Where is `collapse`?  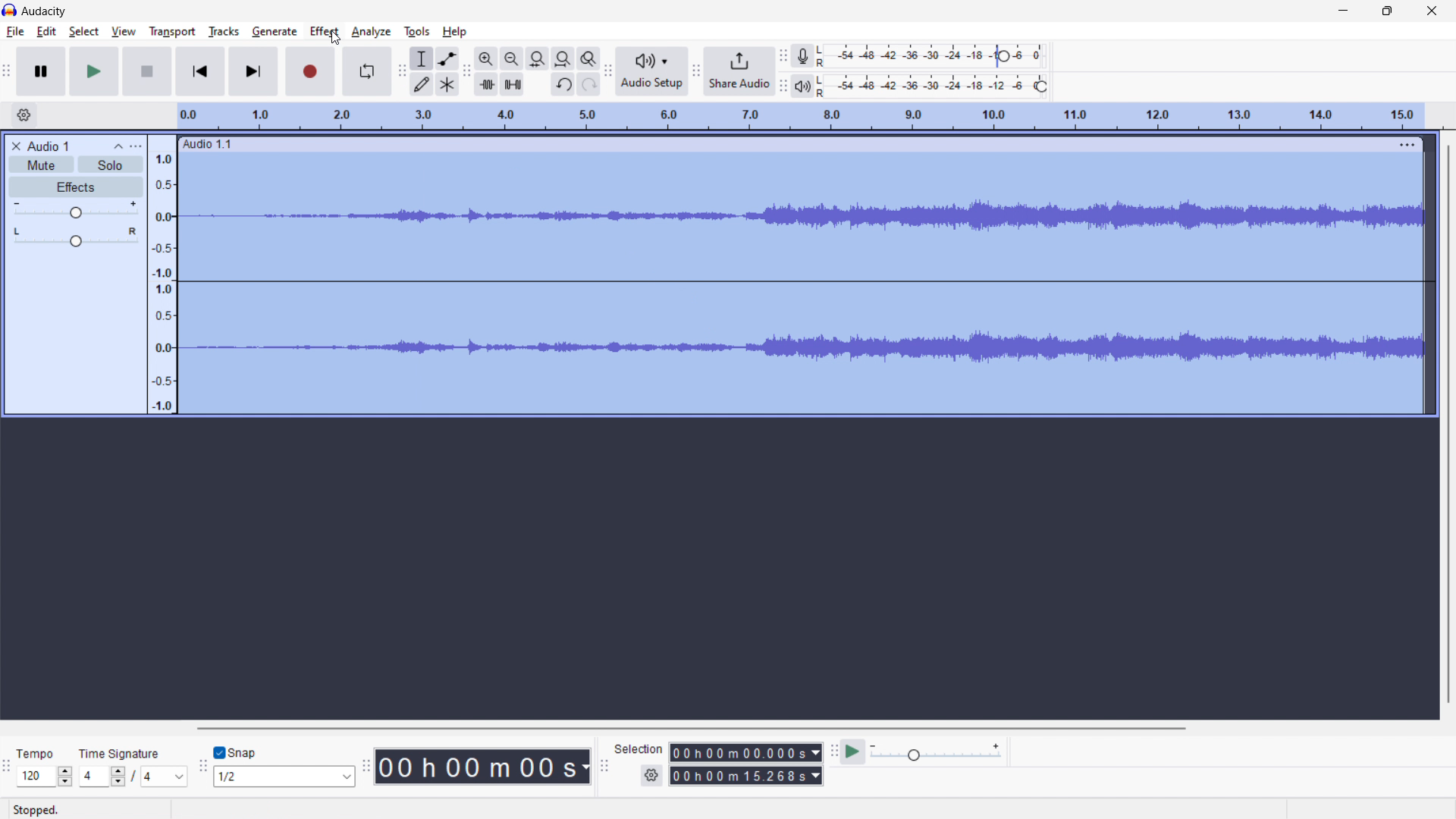 collapse is located at coordinates (117, 146).